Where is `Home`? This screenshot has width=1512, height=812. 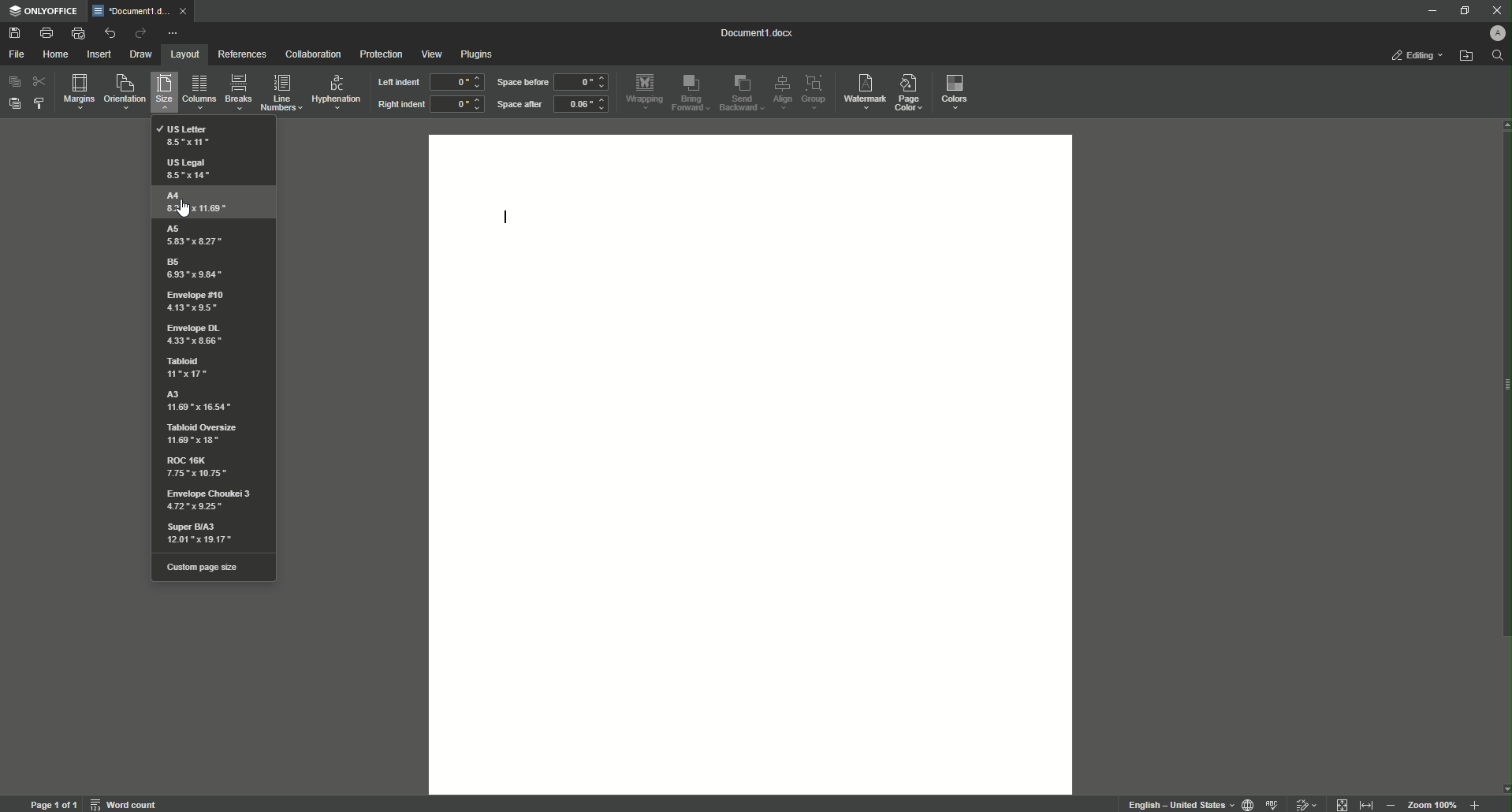 Home is located at coordinates (58, 55).